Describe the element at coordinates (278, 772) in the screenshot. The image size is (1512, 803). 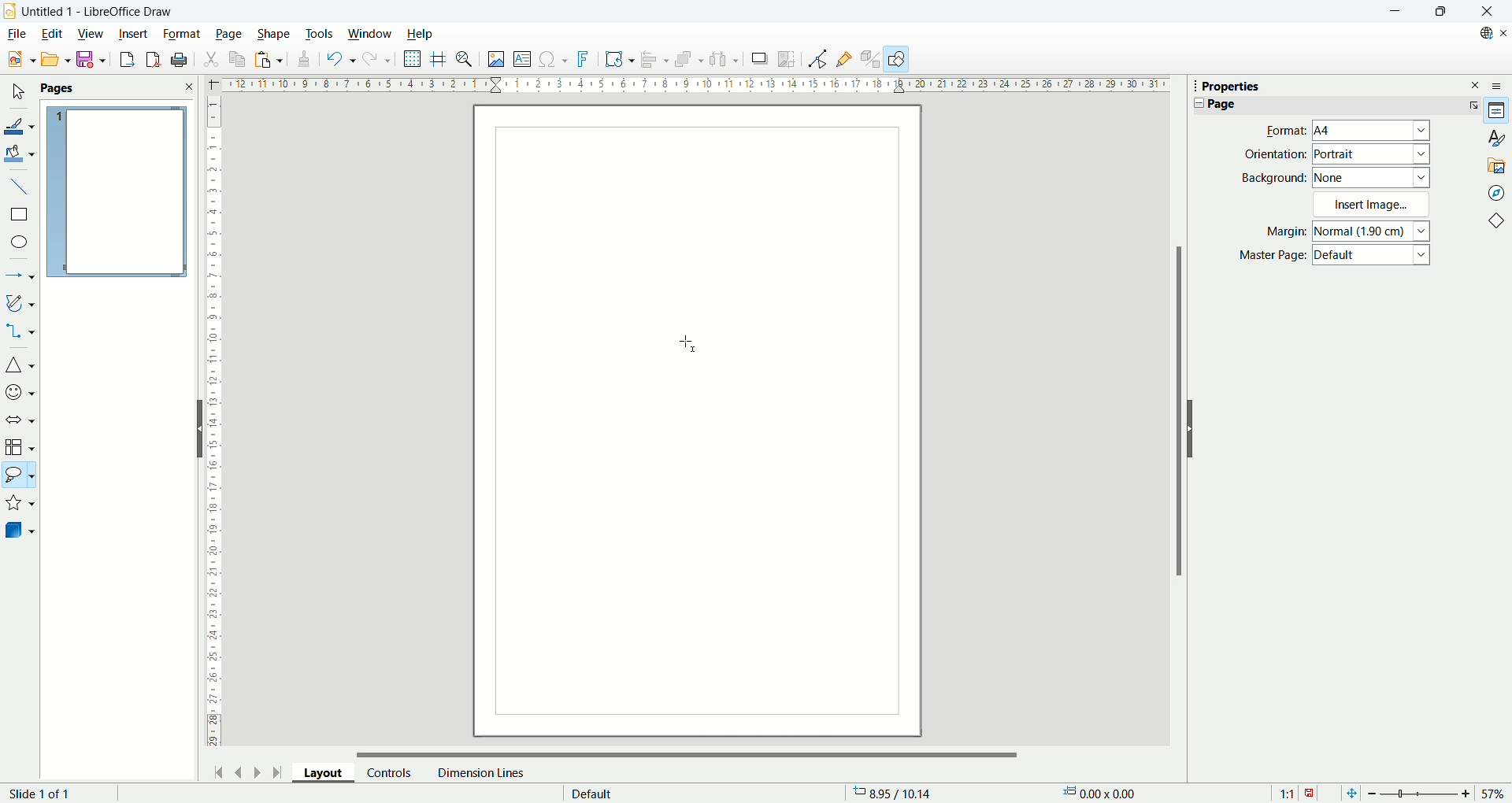
I see `go to last page` at that location.